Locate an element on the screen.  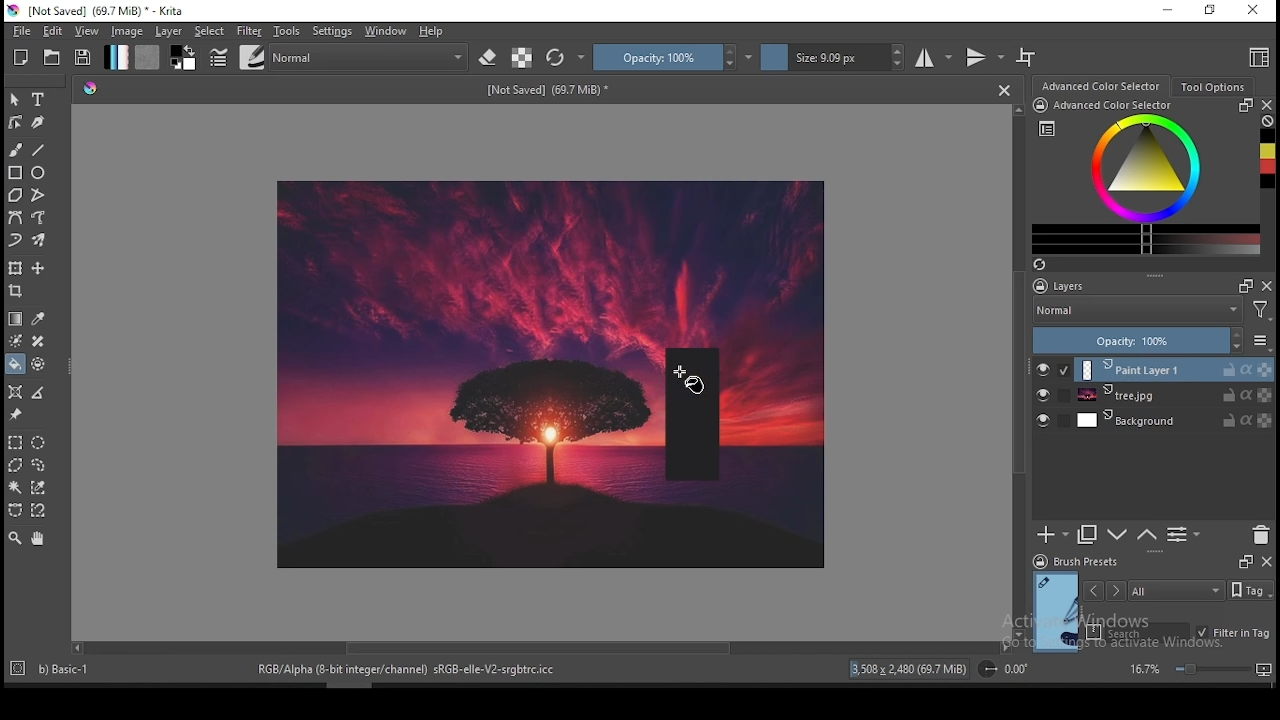
move layer one step up is located at coordinates (1145, 535).